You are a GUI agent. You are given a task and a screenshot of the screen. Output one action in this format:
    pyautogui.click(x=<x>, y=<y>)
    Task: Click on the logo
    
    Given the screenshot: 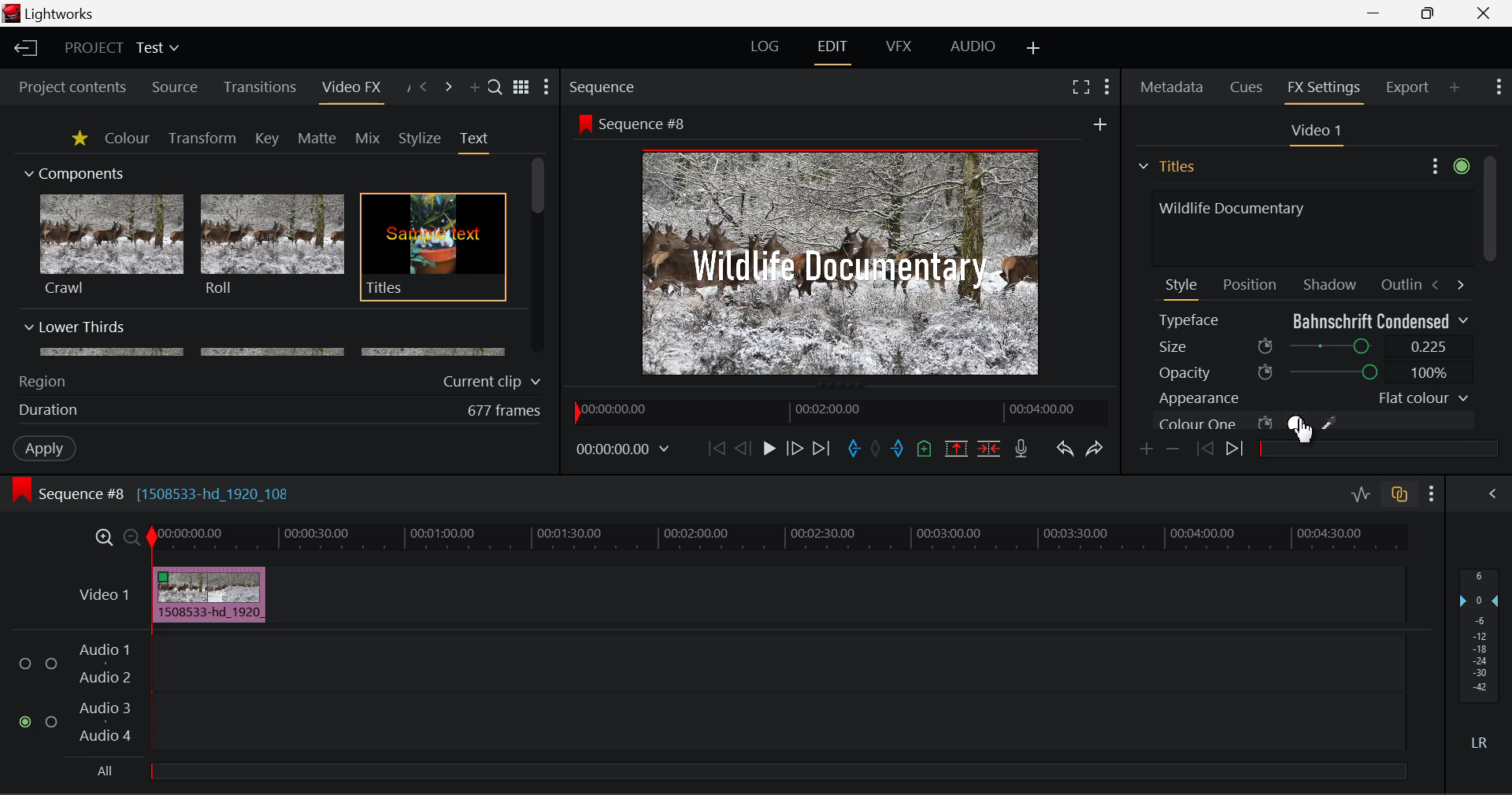 What is the action you would take?
    pyautogui.click(x=13, y=13)
    